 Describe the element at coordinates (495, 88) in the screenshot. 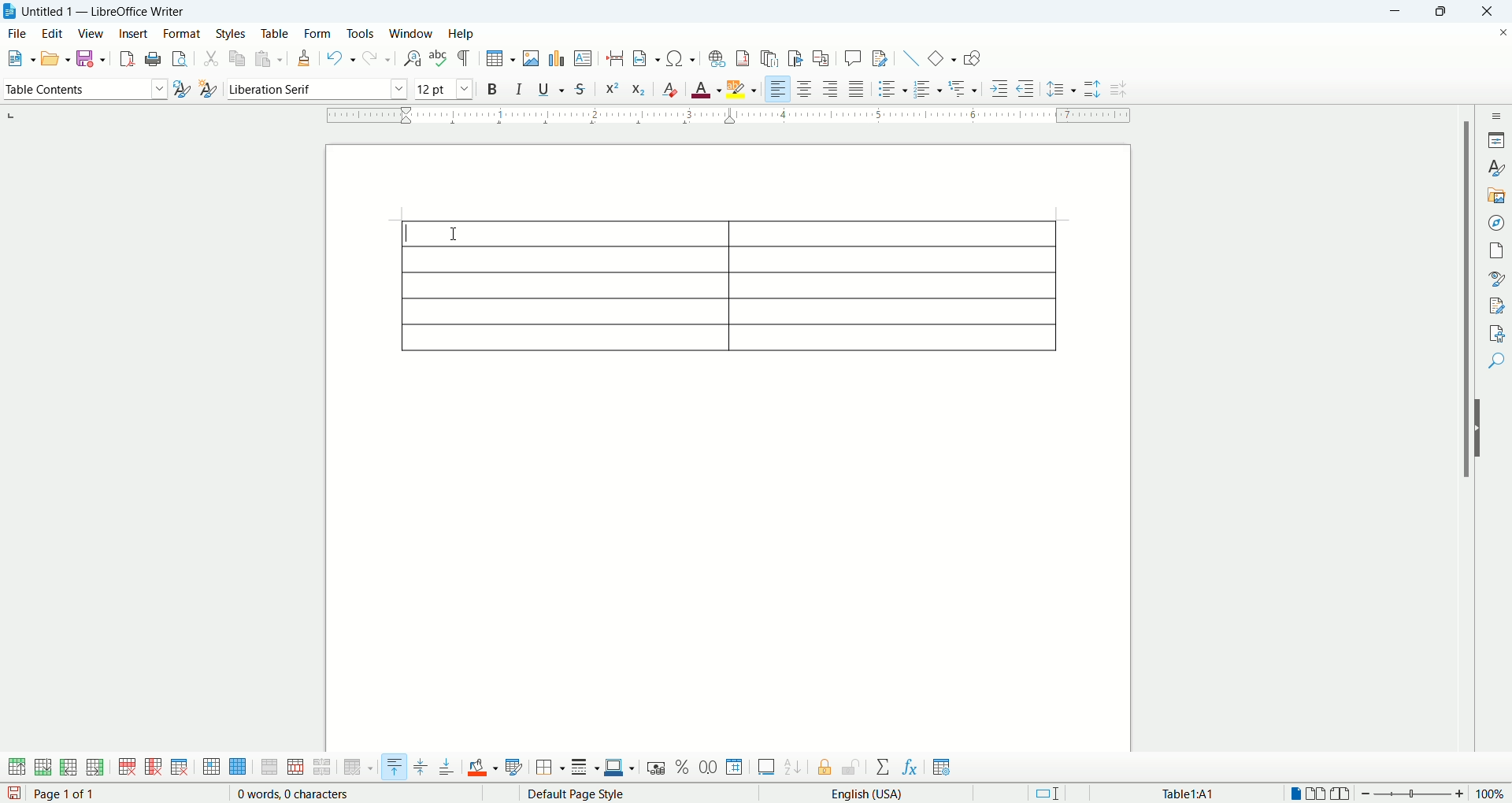

I see `bold` at that location.